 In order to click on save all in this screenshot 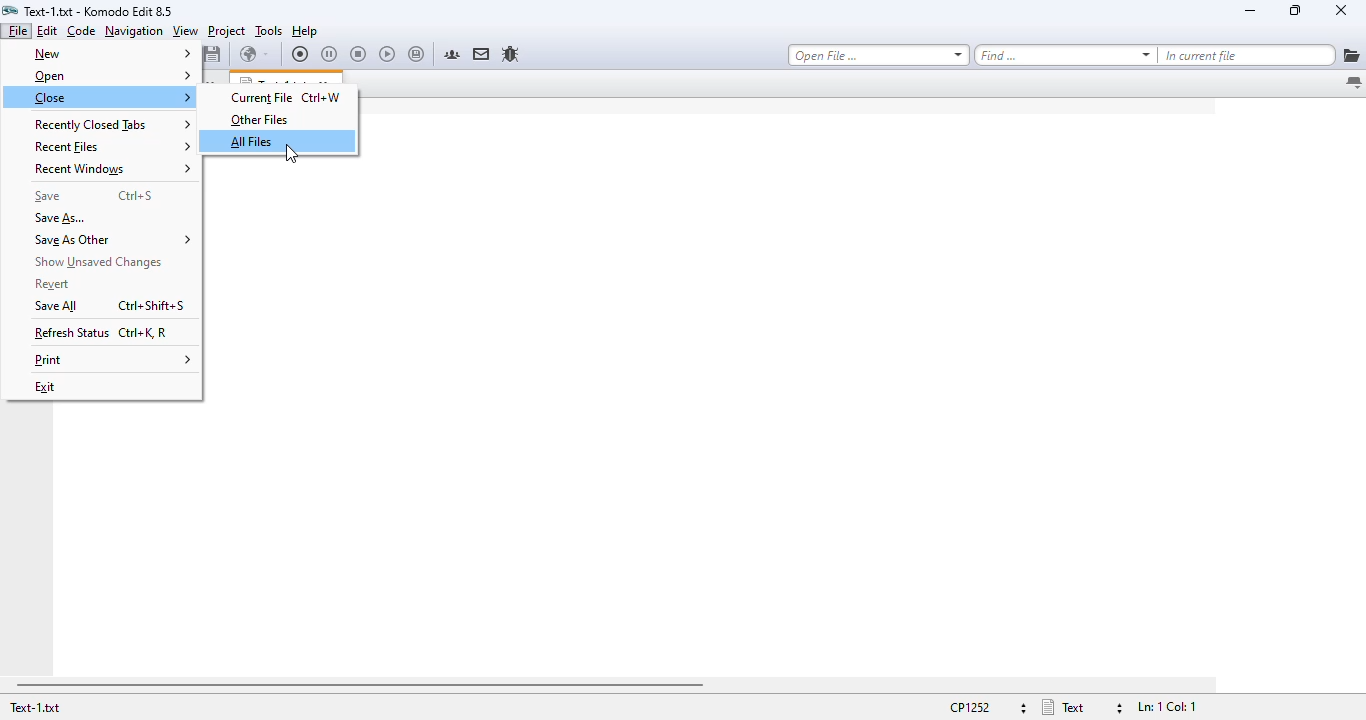, I will do `click(58, 306)`.